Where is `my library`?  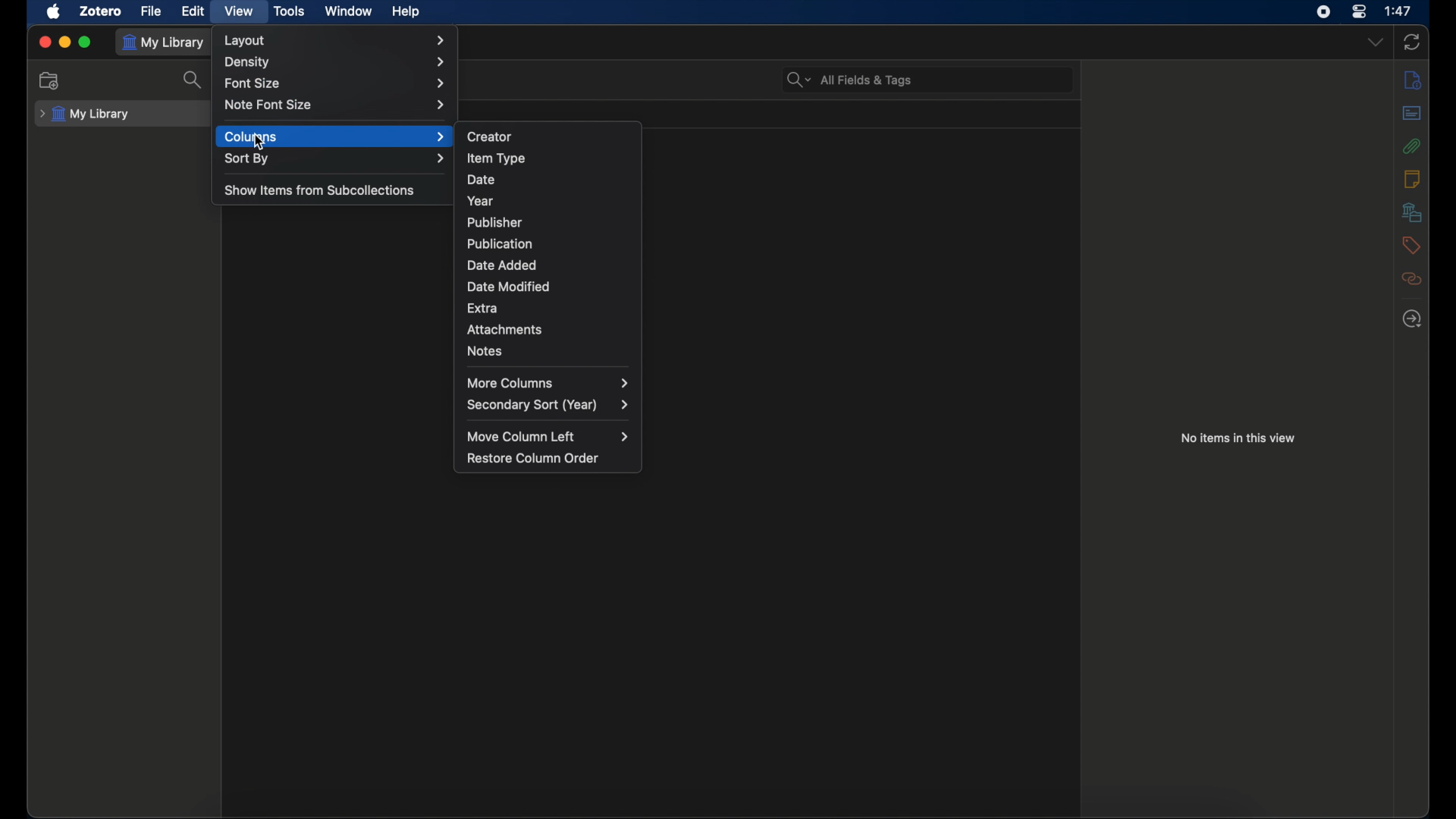 my library is located at coordinates (163, 42).